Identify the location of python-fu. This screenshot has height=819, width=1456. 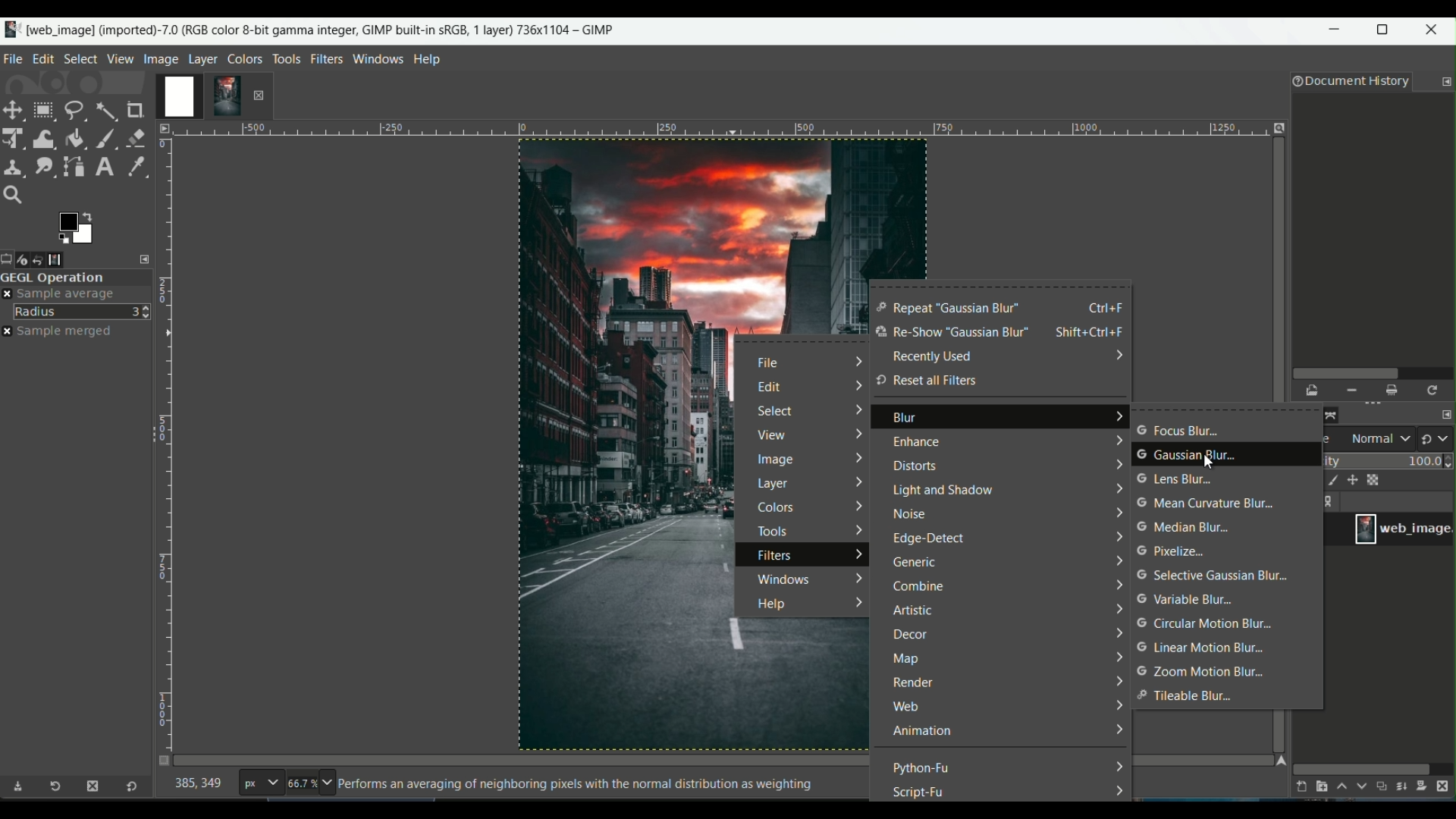
(923, 767).